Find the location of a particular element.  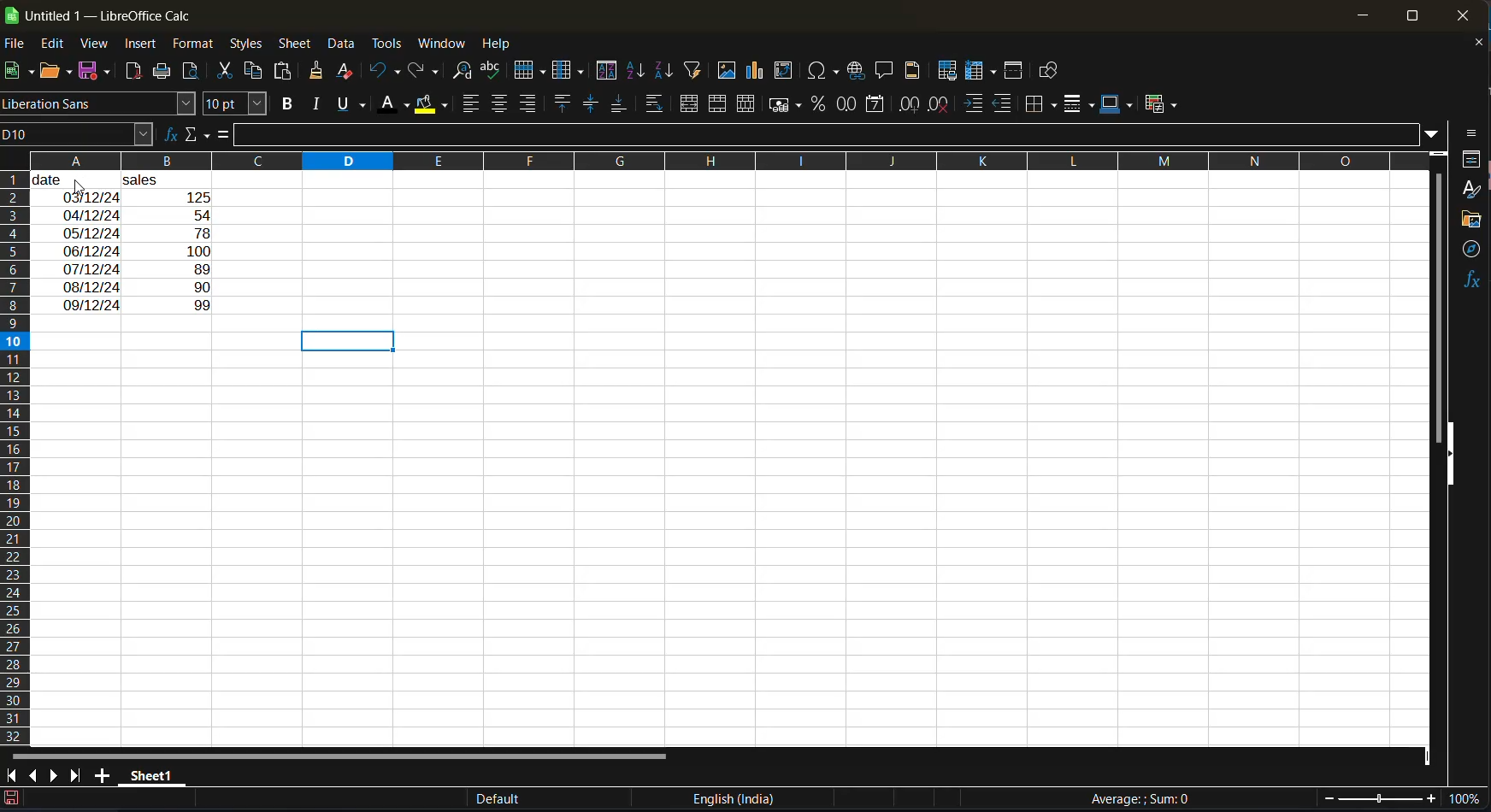

sort descending is located at coordinates (663, 70).